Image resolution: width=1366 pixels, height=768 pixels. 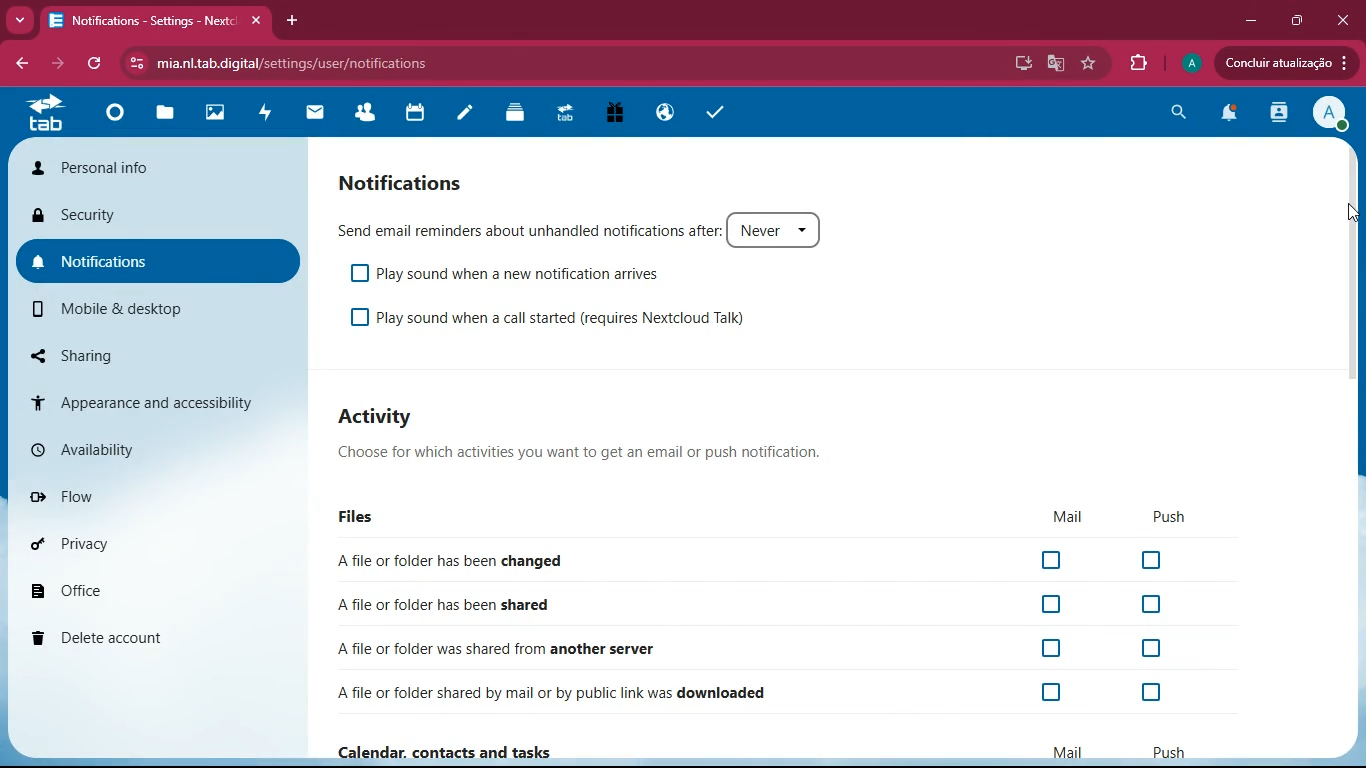 What do you see at coordinates (1055, 65) in the screenshot?
I see `google translate` at bounding box center [1055, 65].